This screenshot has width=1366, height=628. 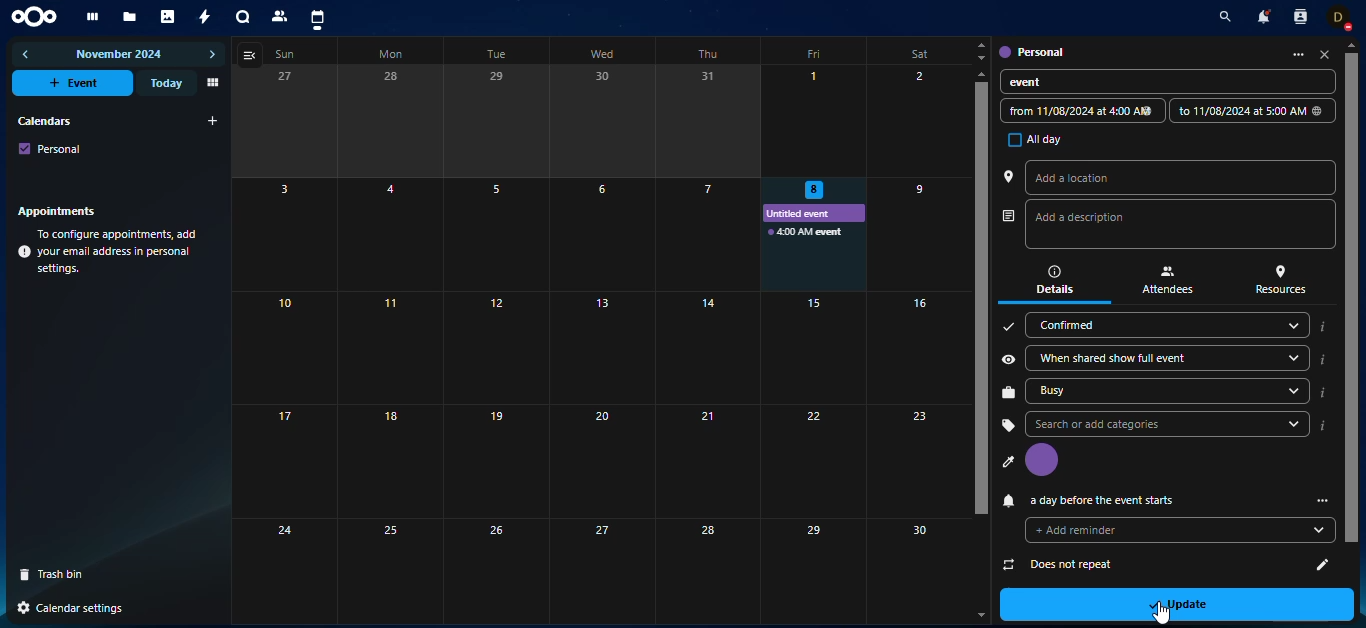 I want to click on close, so click(x=1325, y=55).